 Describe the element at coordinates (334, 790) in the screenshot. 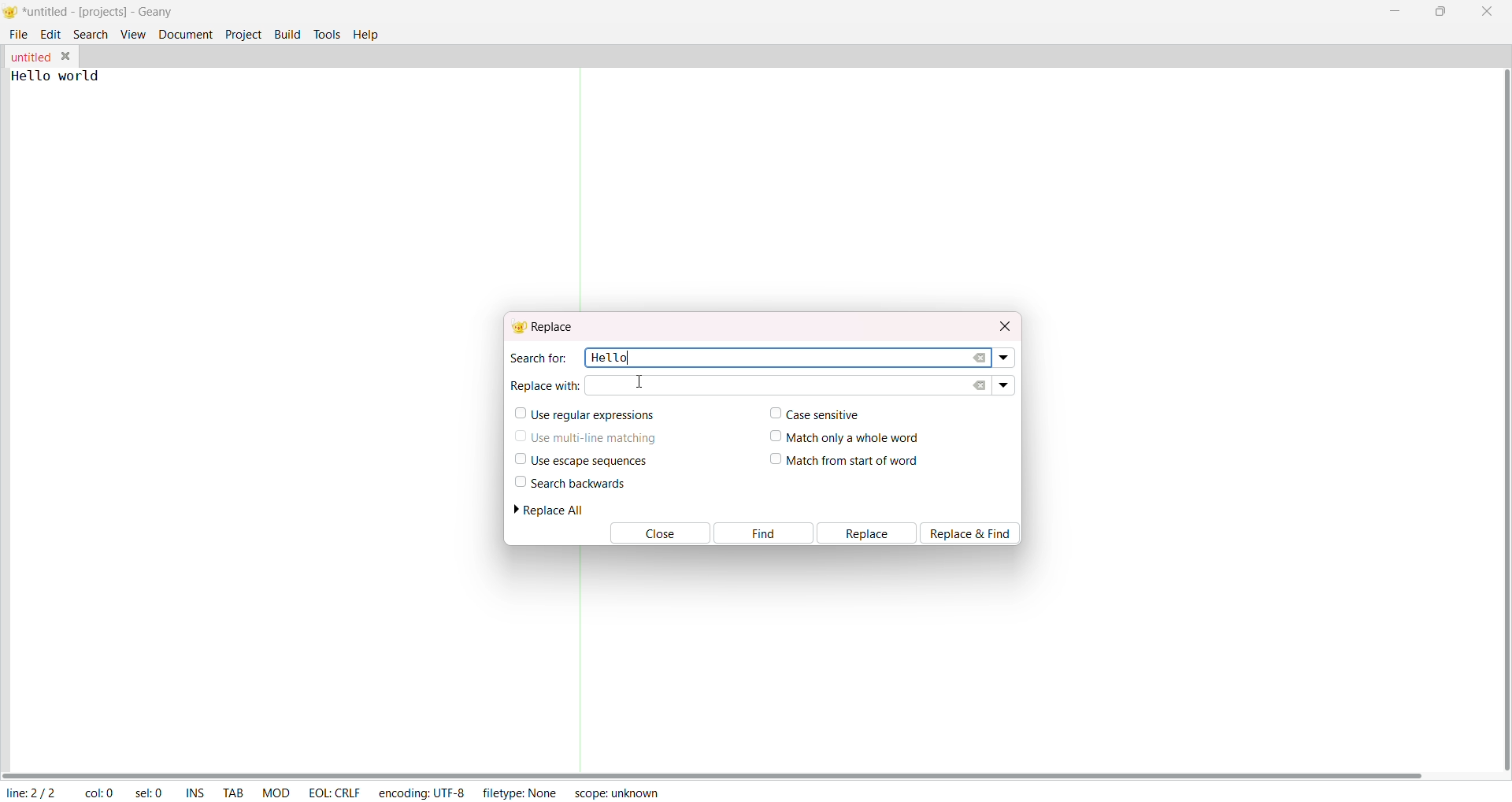

I see `EOL: CRLF` at that location.